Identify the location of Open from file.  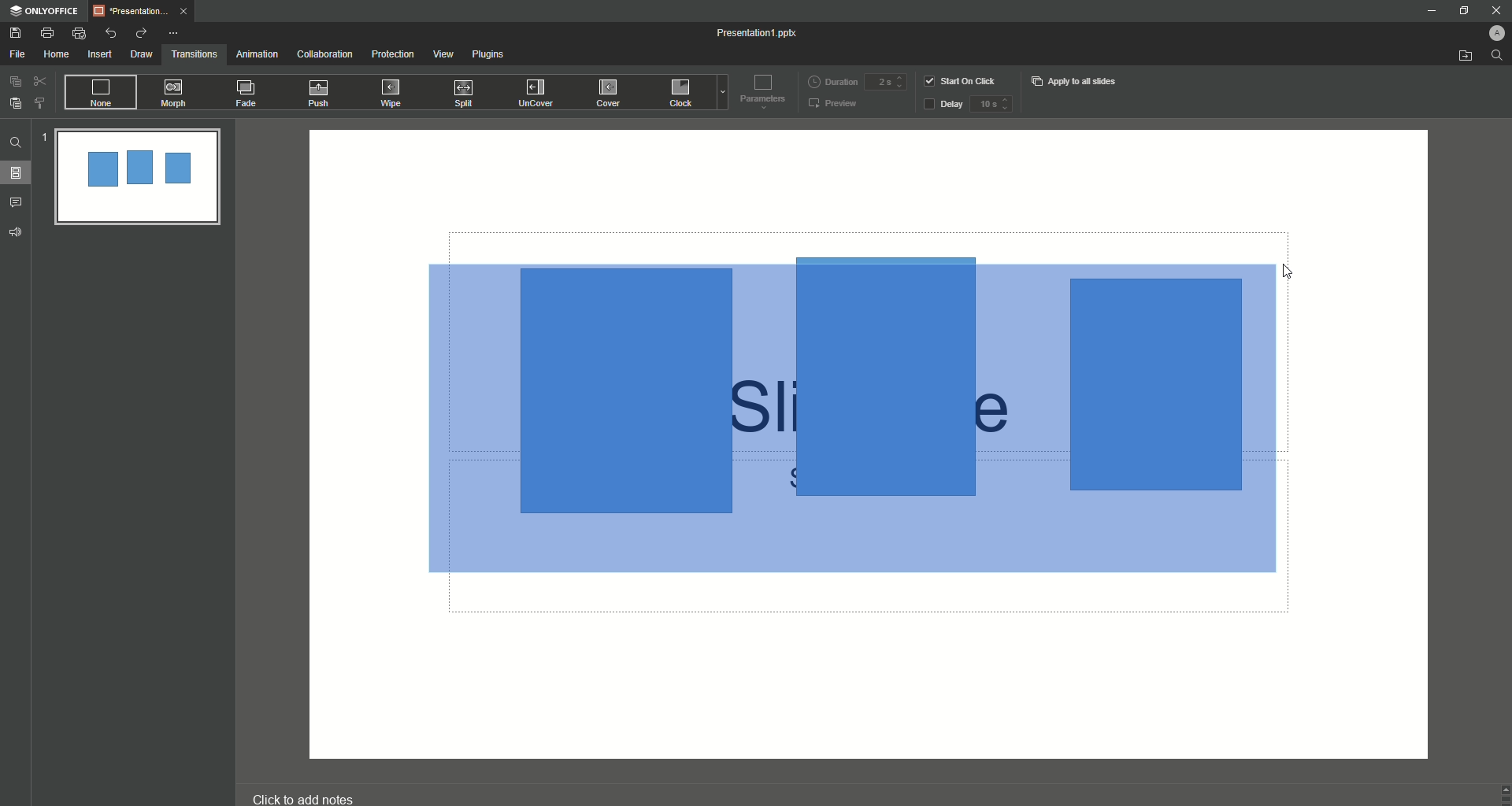
(1465, 57).